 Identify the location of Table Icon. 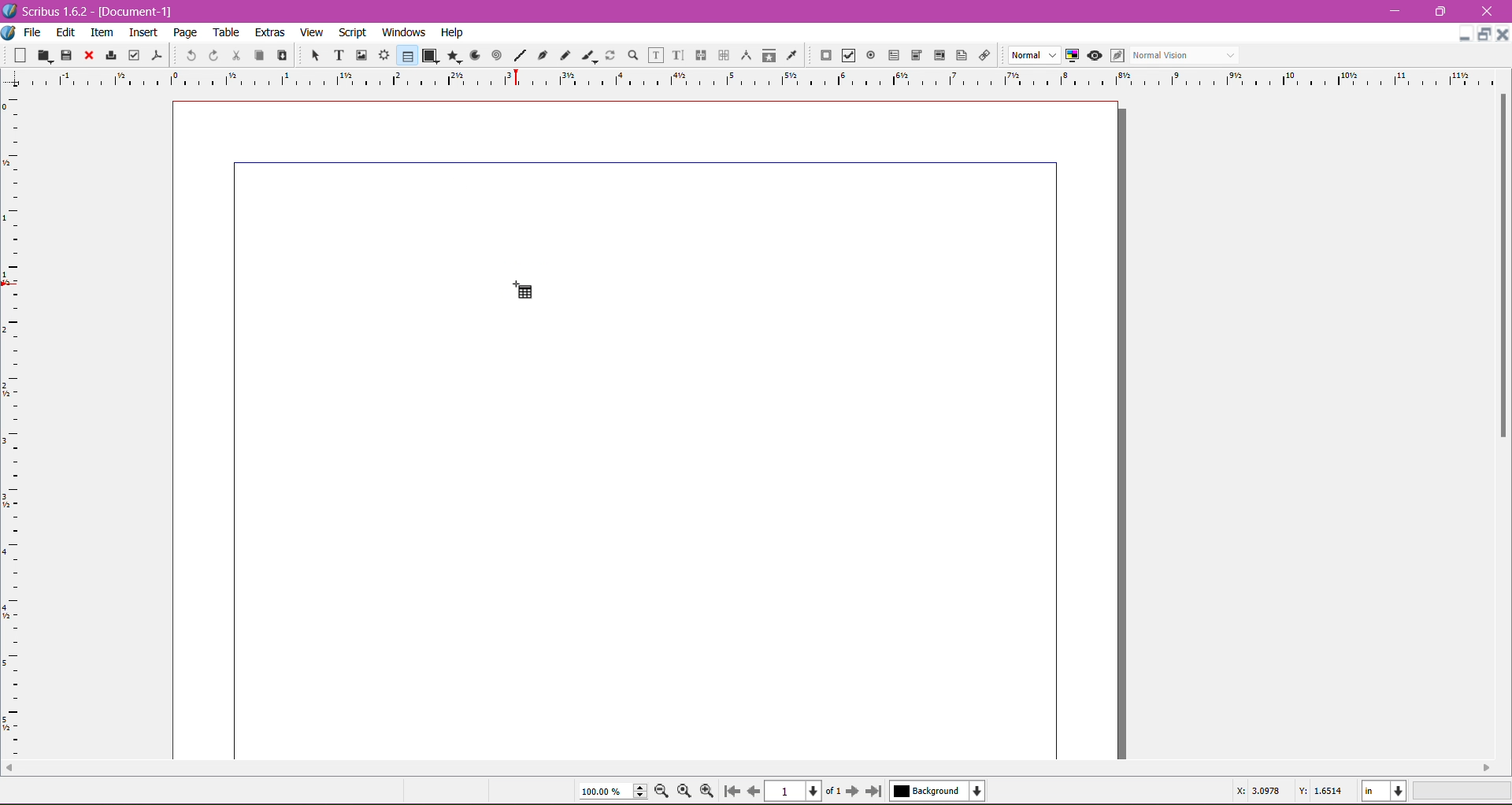
(528, 288).